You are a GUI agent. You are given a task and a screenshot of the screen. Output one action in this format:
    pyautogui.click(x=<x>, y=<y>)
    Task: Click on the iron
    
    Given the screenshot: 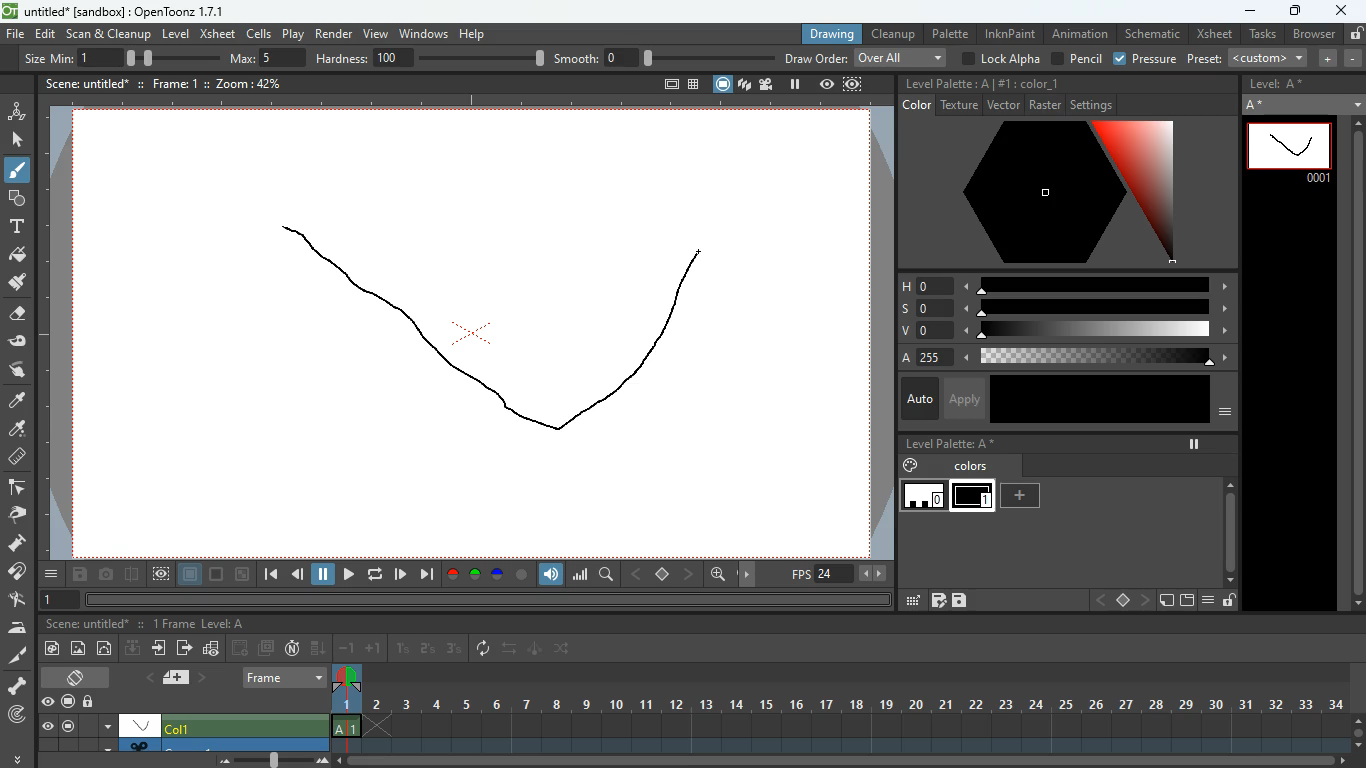 What is the action you would take?
    pyautogui.click(x=17, y=627)
    